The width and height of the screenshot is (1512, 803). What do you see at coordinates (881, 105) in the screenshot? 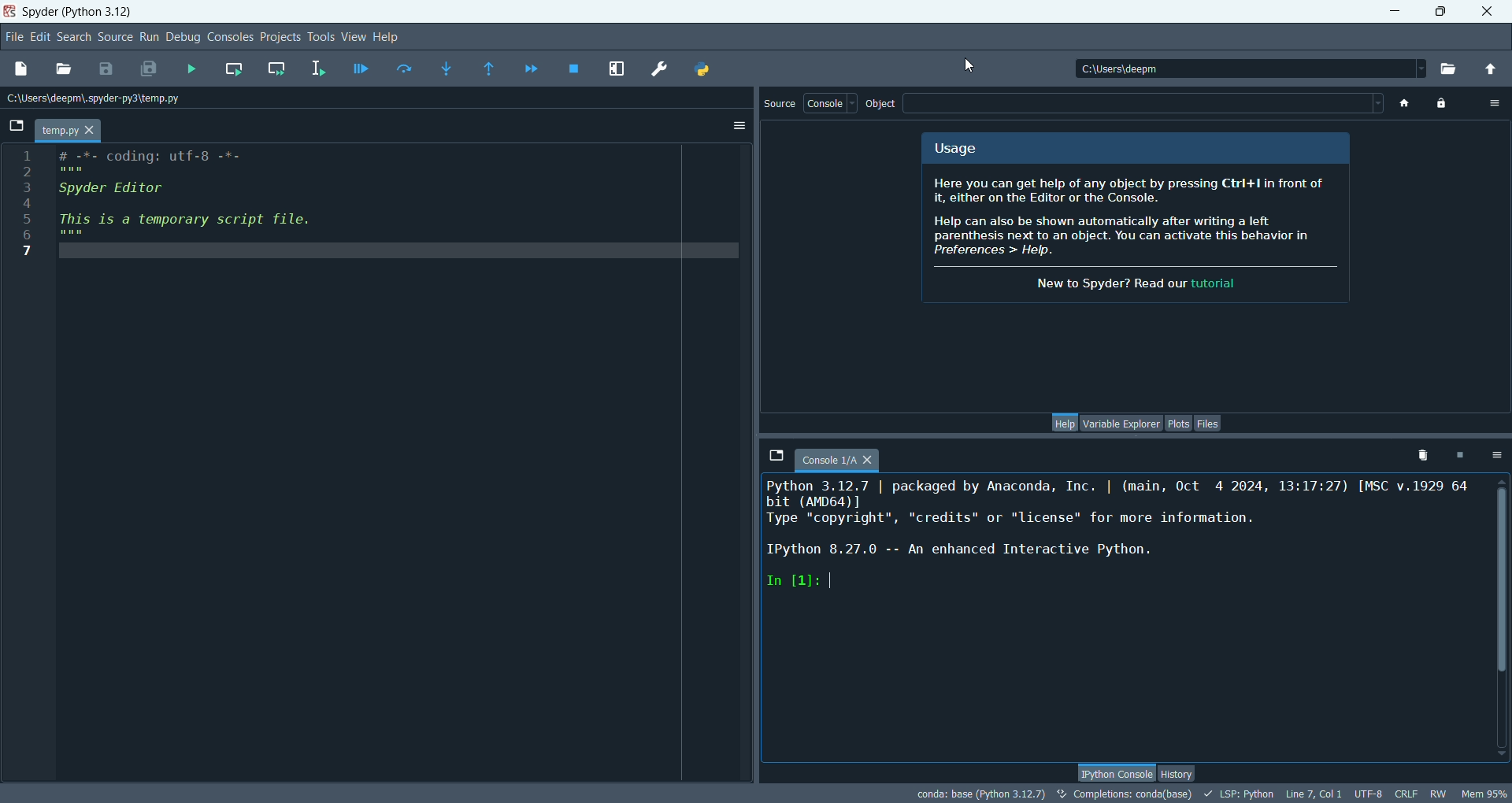
I see `object` at bounding box center [881, 105].